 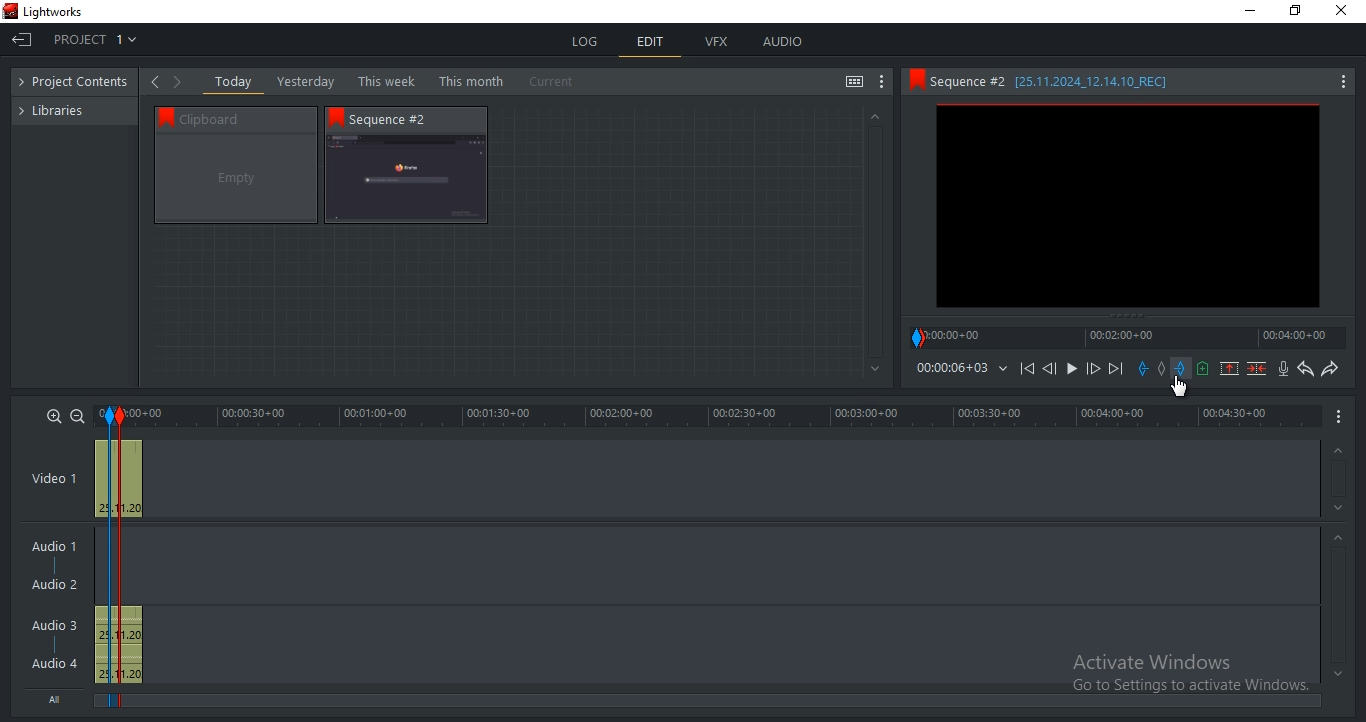 What do you see at coordinates (1203, 369) in the screenshot?
I see `add cue` at bounding box center [1203, 369].